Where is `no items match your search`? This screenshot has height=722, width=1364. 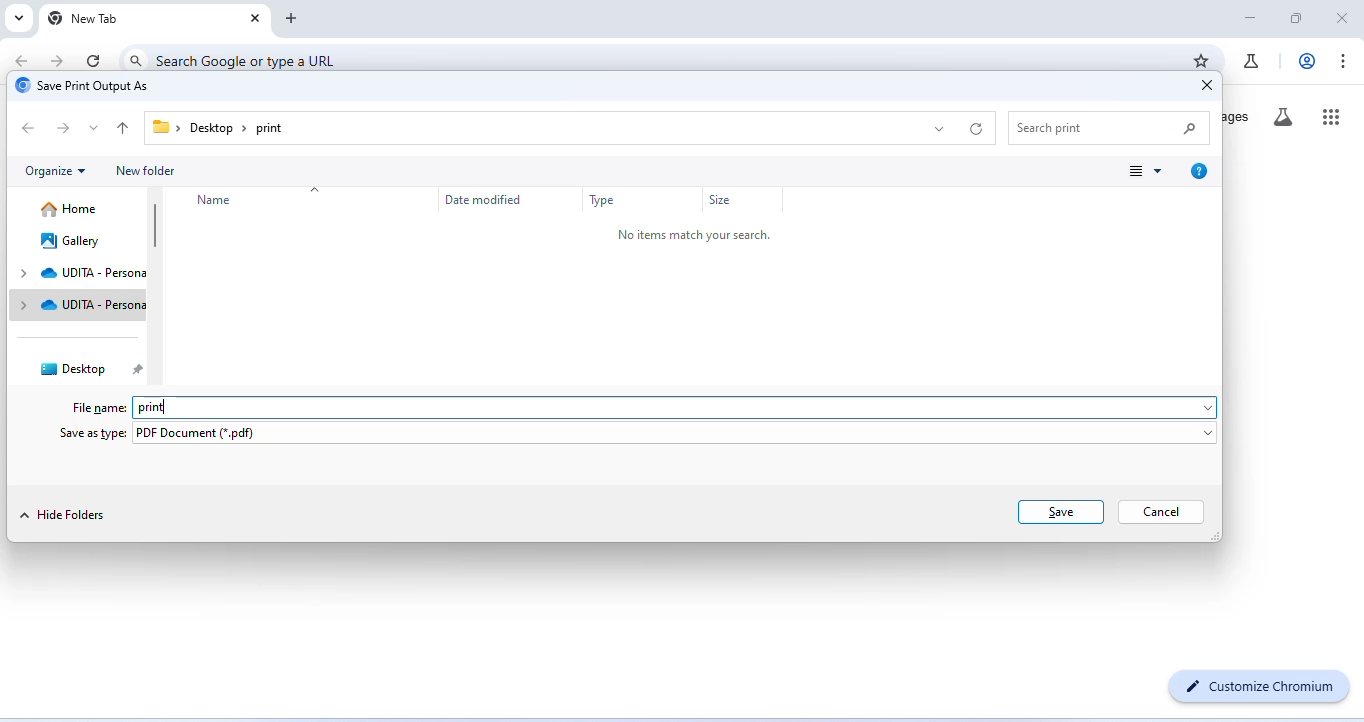 no items match your search is located at coordinates (714, 237).